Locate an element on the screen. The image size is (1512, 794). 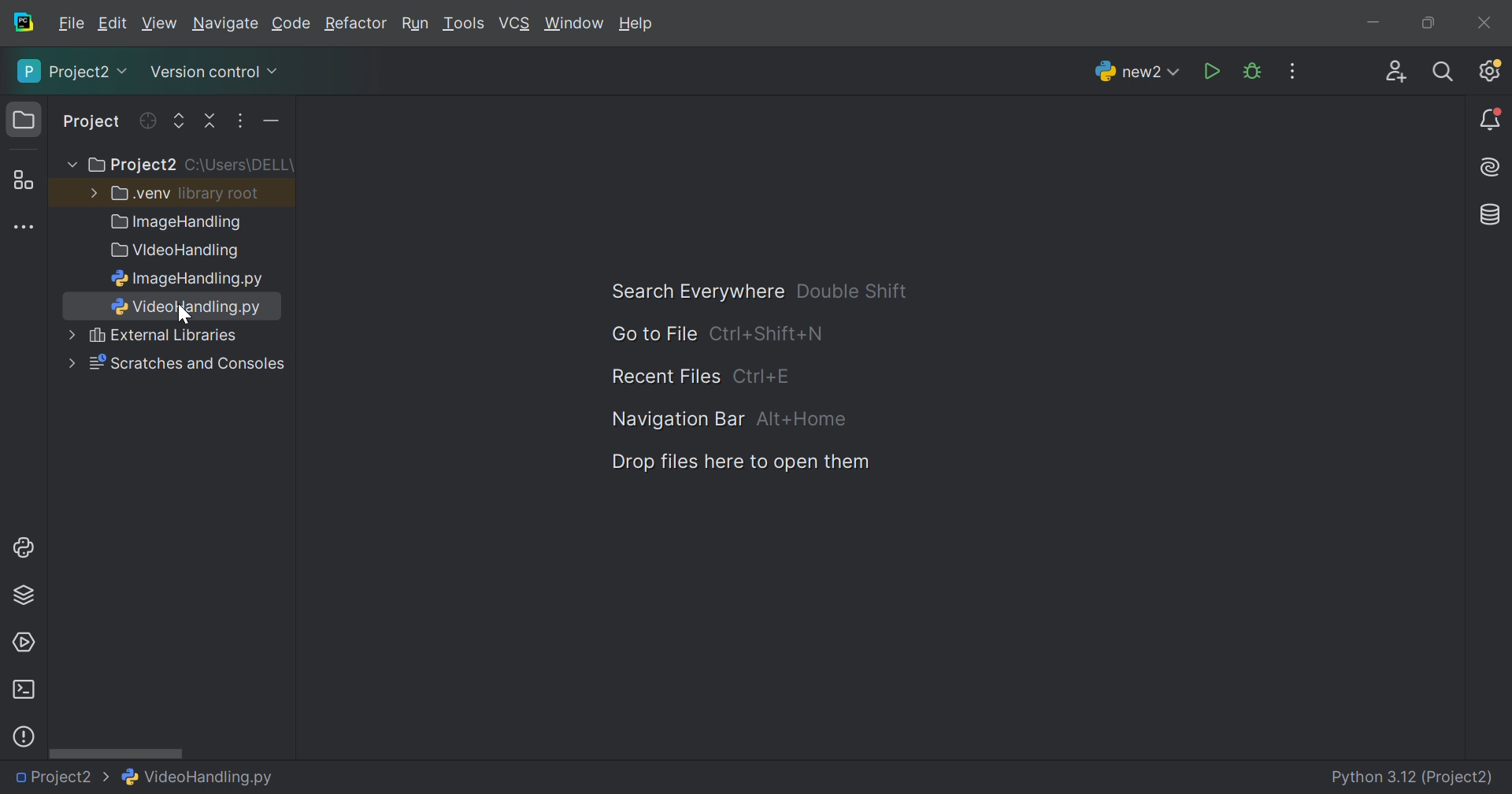
Refactor is located at coordinates (354, 25).